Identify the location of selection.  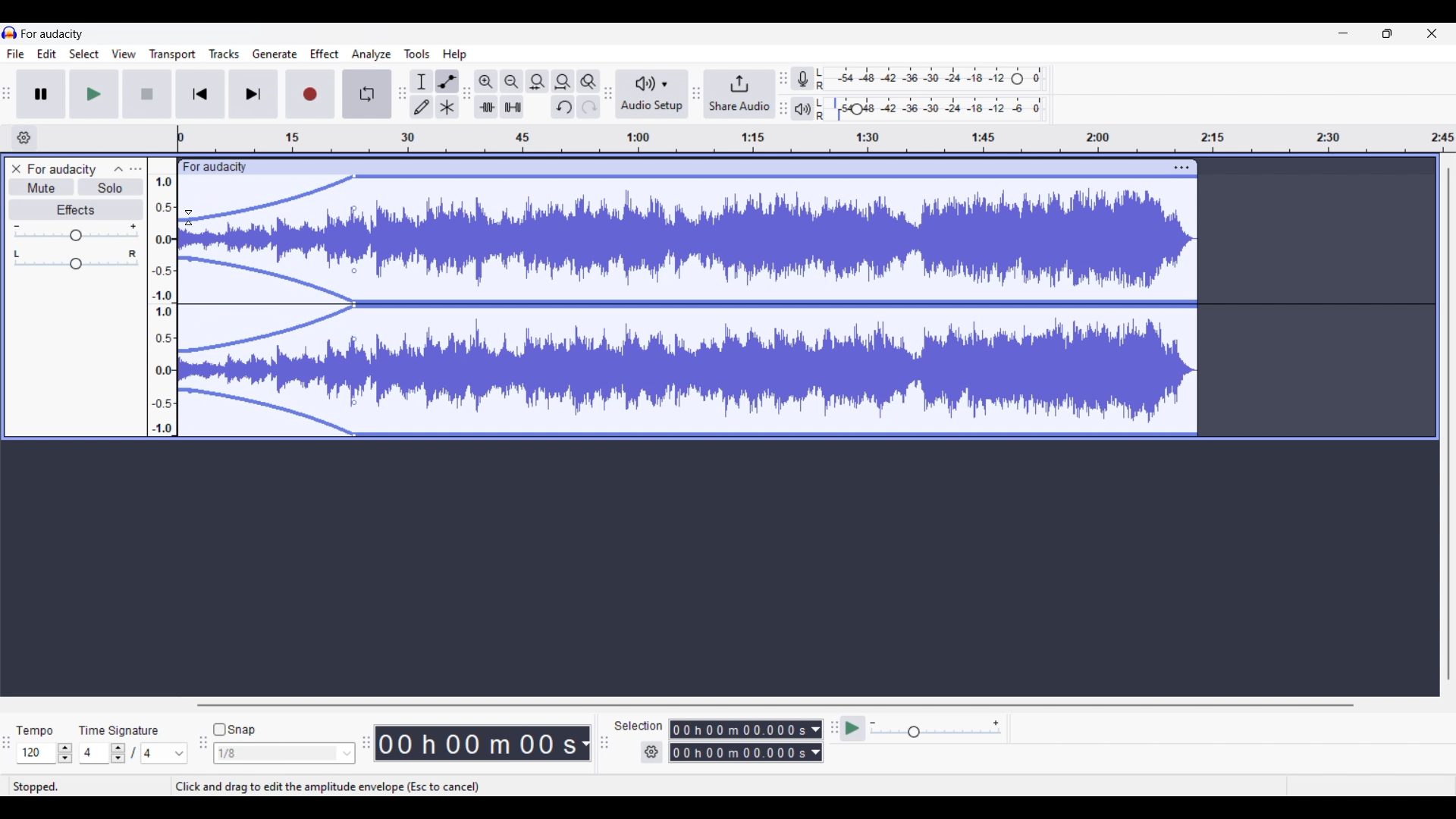
(638, 725).